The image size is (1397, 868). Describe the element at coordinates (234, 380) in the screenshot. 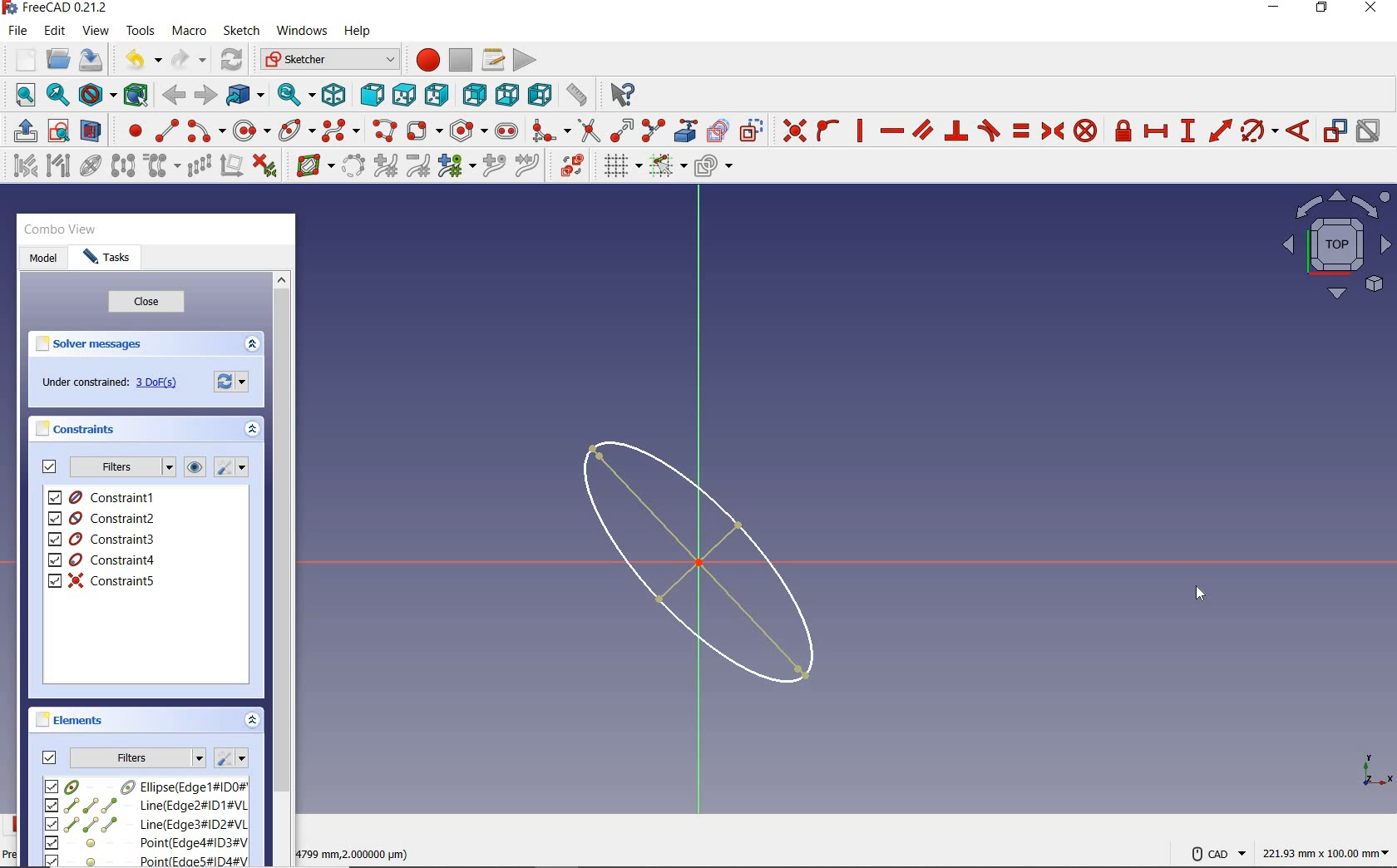

I see `settings` at that location.